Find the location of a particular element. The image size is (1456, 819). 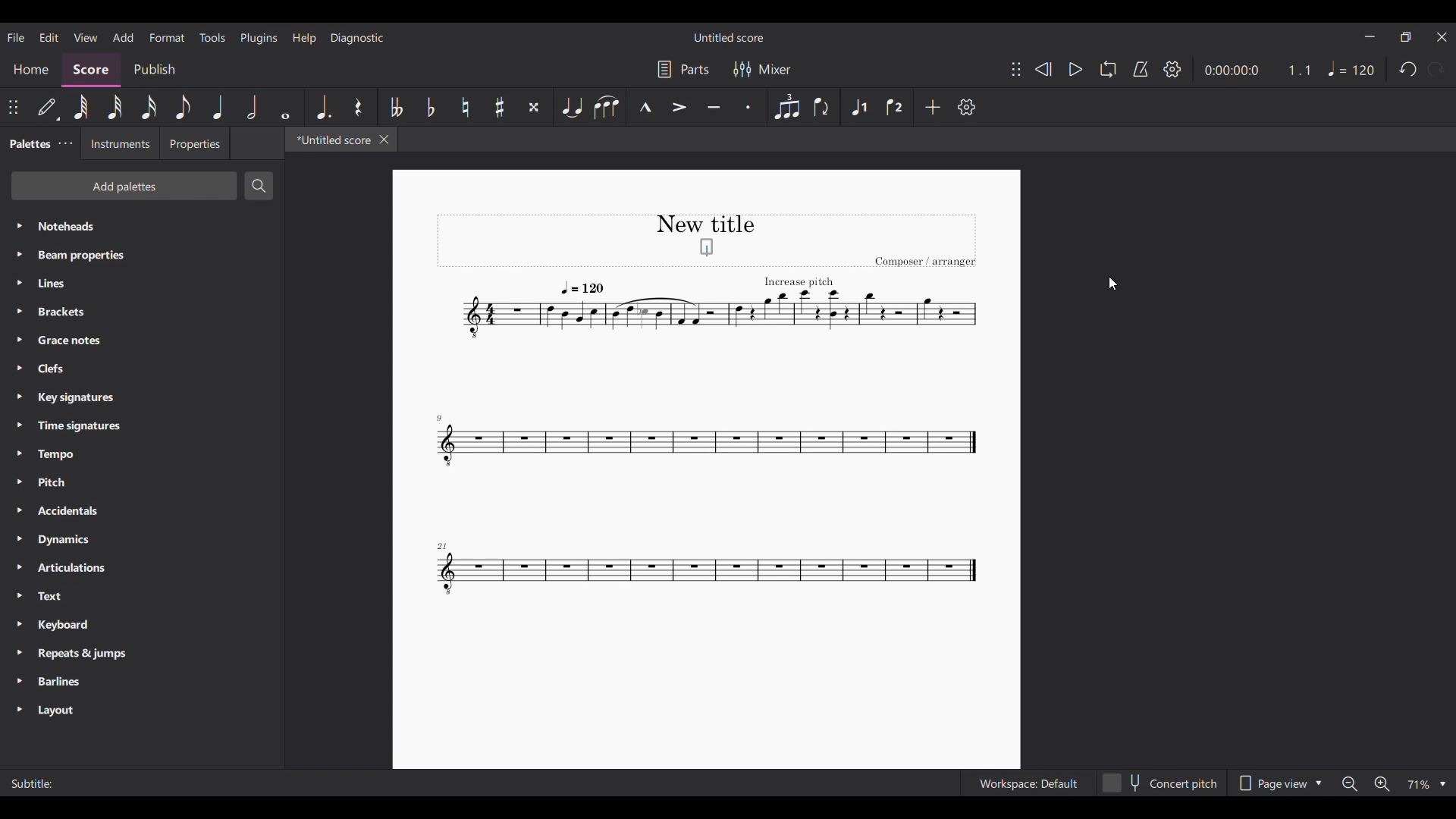

Accidentals is located at coordinates (142, 512).